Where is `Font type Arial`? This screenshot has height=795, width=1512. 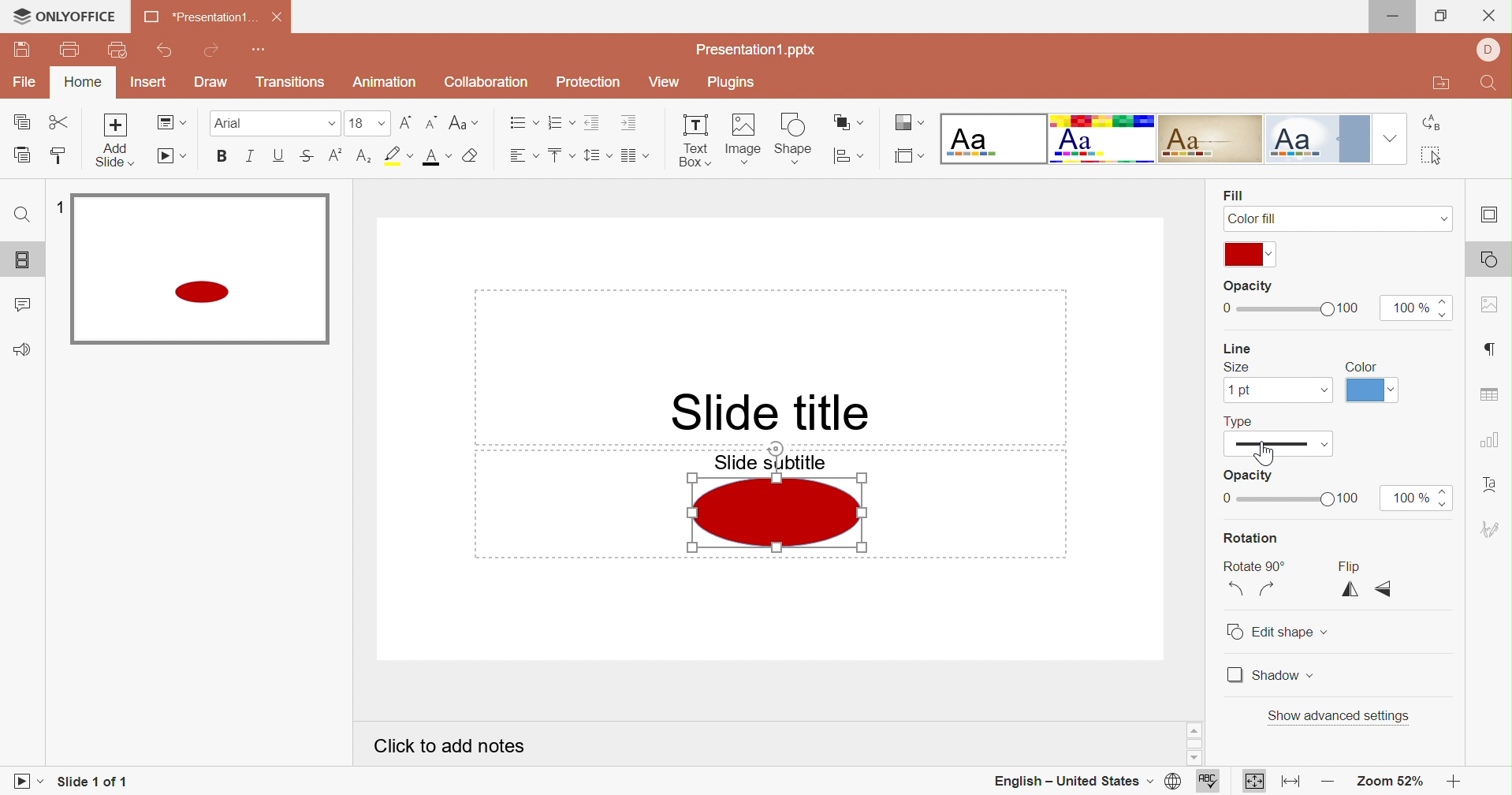 Font type Arial is located at coordinates (274, 122).